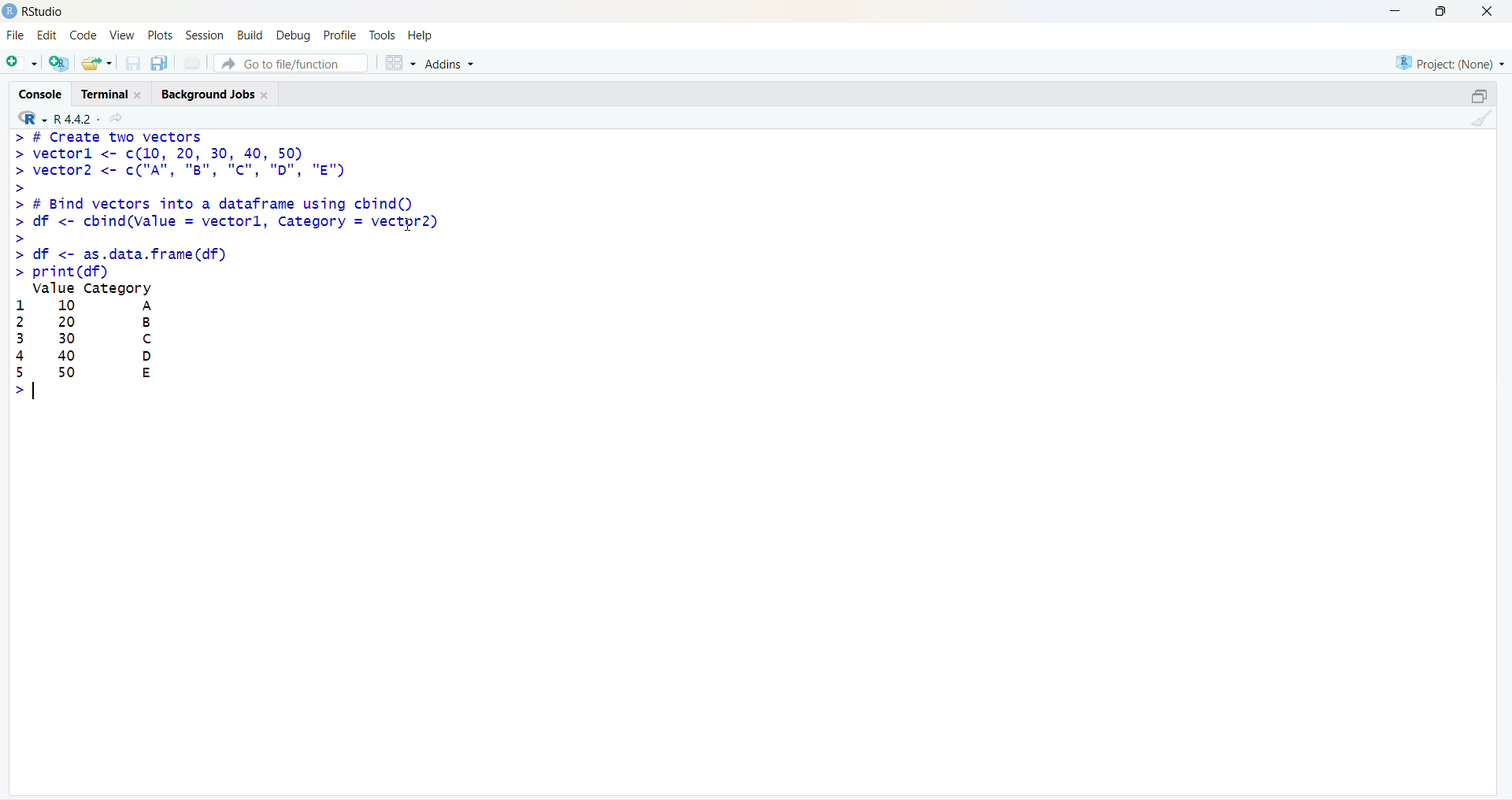  Describe the element at coordinates (449, 64) in the screenshot. I see `Addins` at that location.